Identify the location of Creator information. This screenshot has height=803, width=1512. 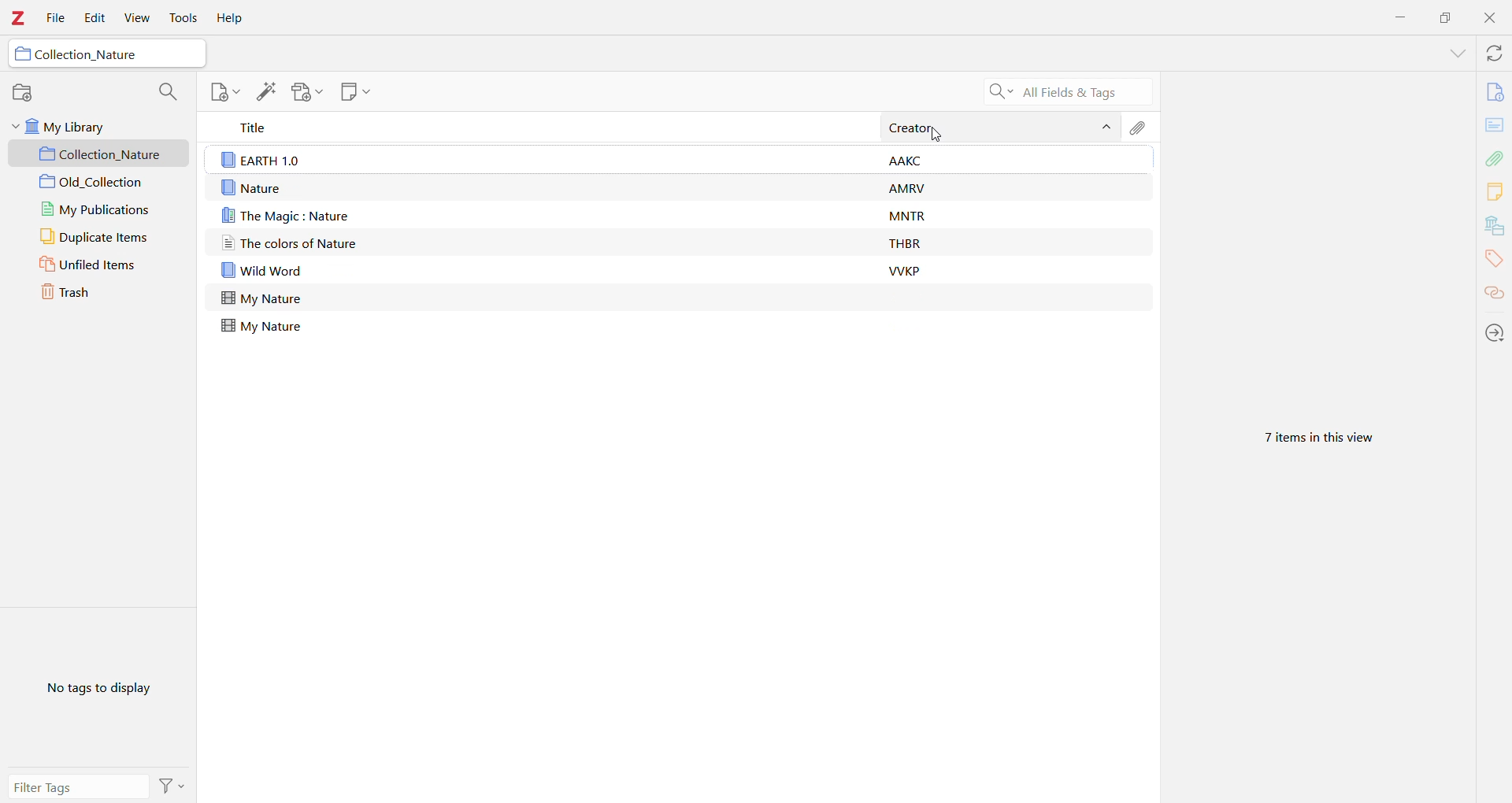
(912, 213).